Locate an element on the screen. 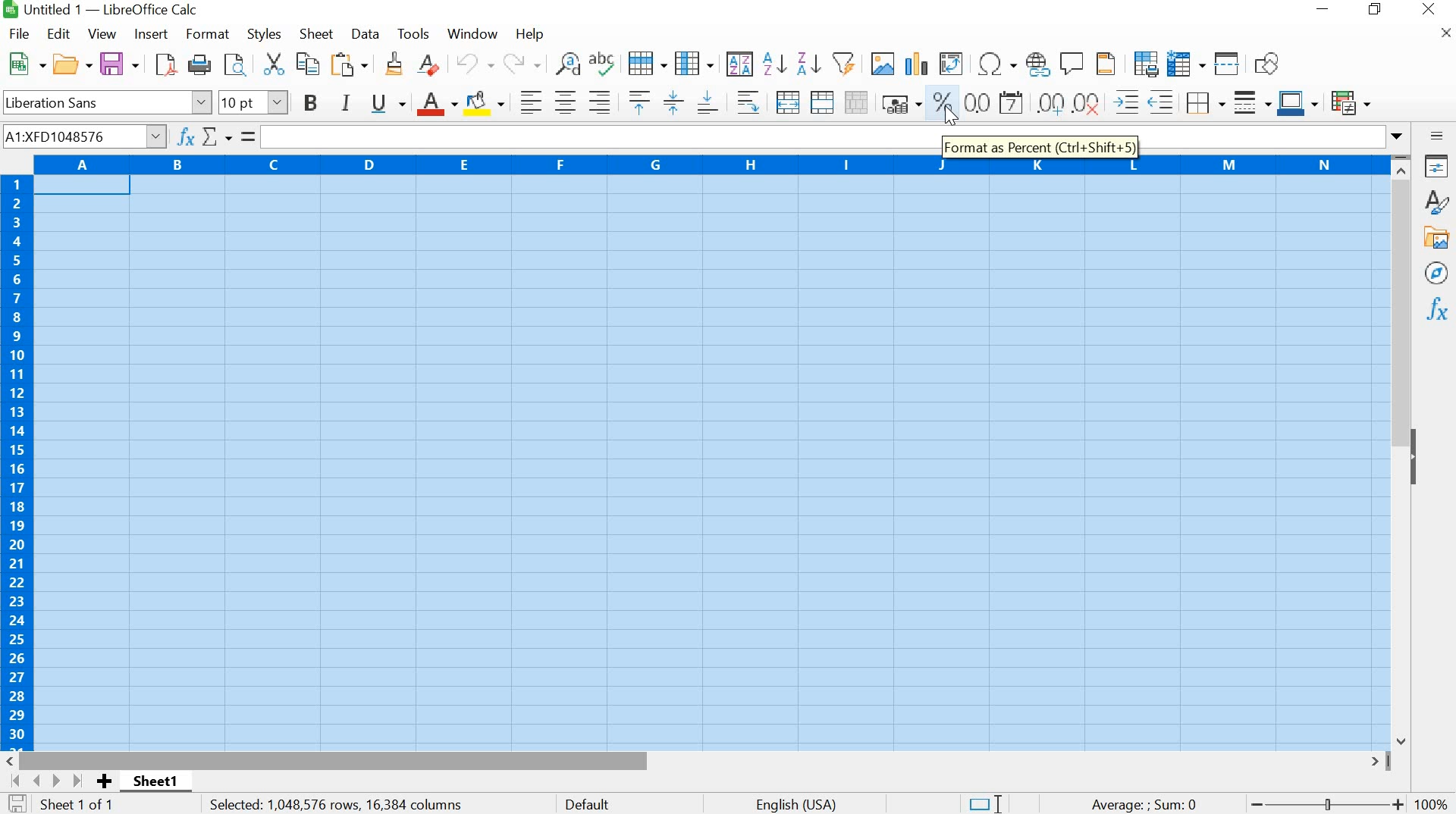 The height and width of the screenshot is (814, 1456). Font Color is located at coordinates (437, 104).